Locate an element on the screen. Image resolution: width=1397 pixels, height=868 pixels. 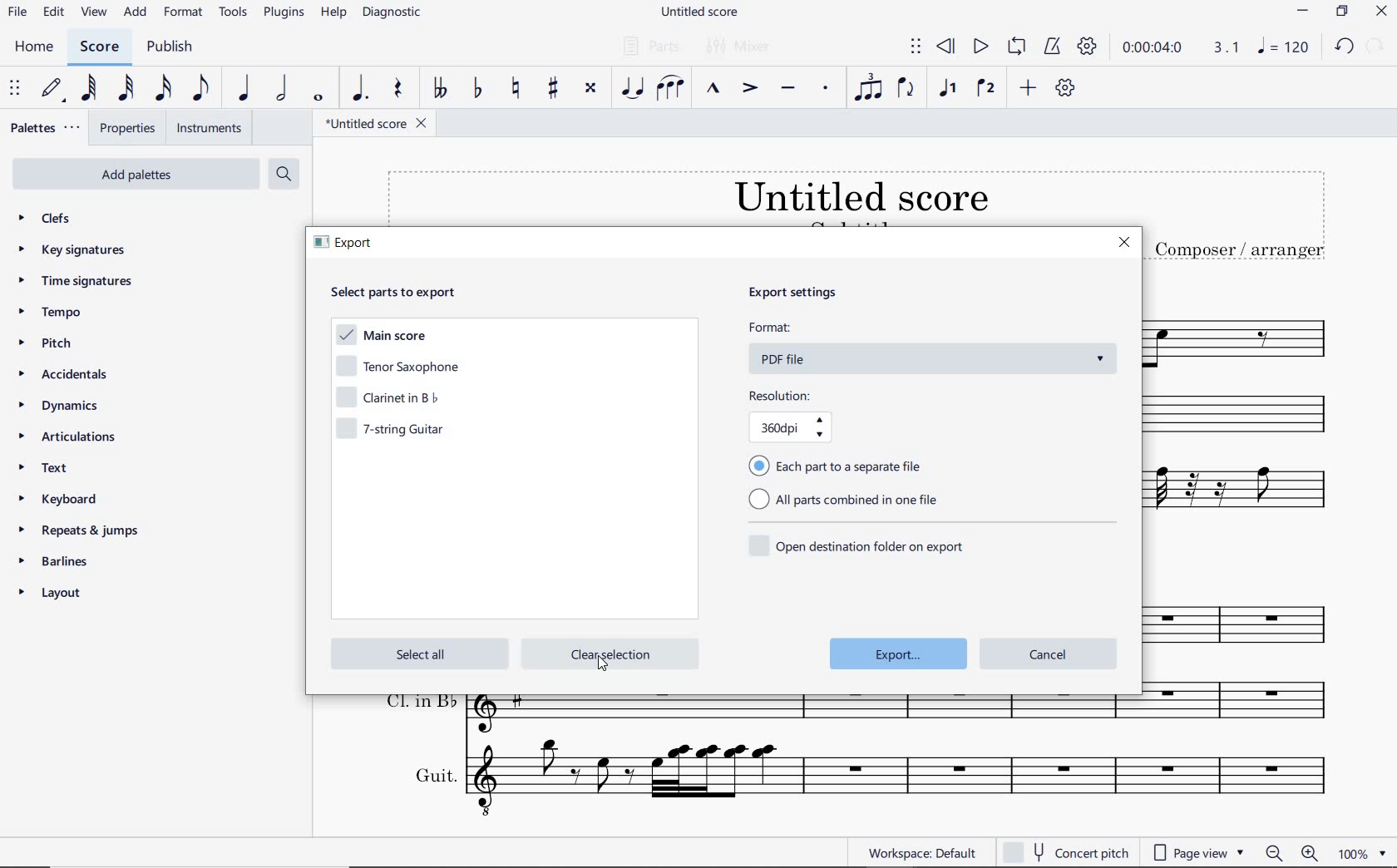
pitch is located at coordinates (47, 345).